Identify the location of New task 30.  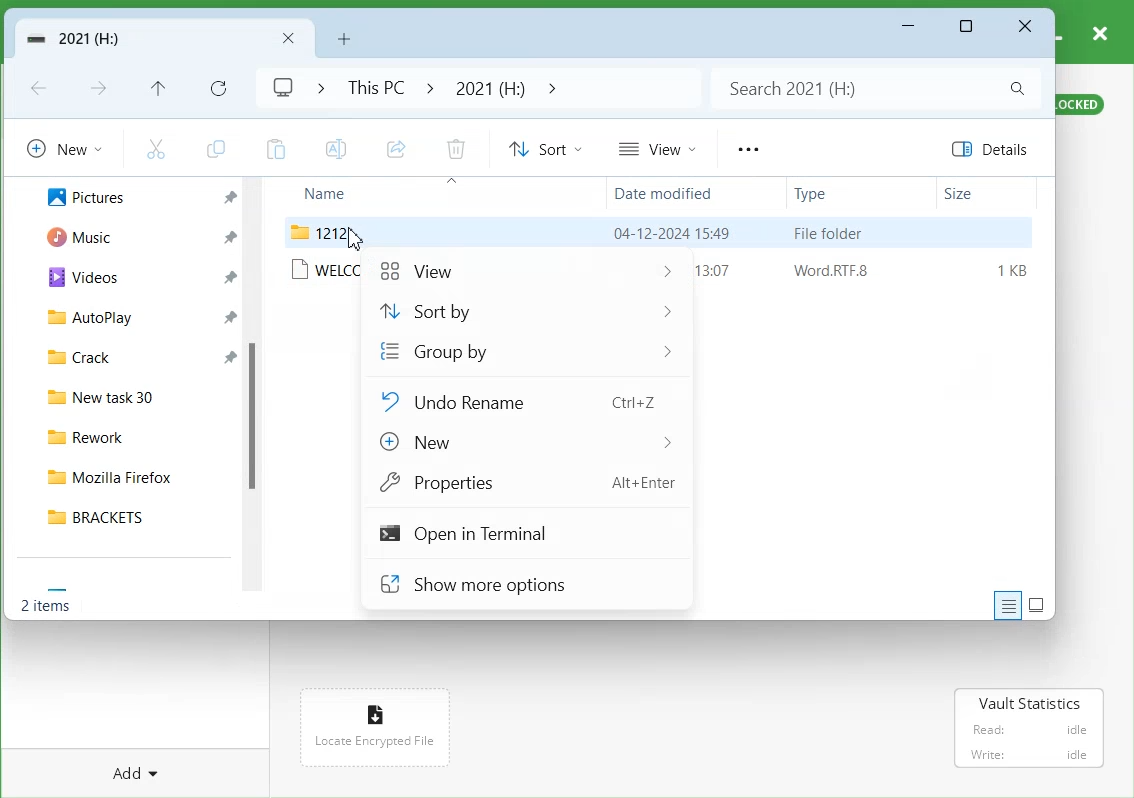
(136, 398).